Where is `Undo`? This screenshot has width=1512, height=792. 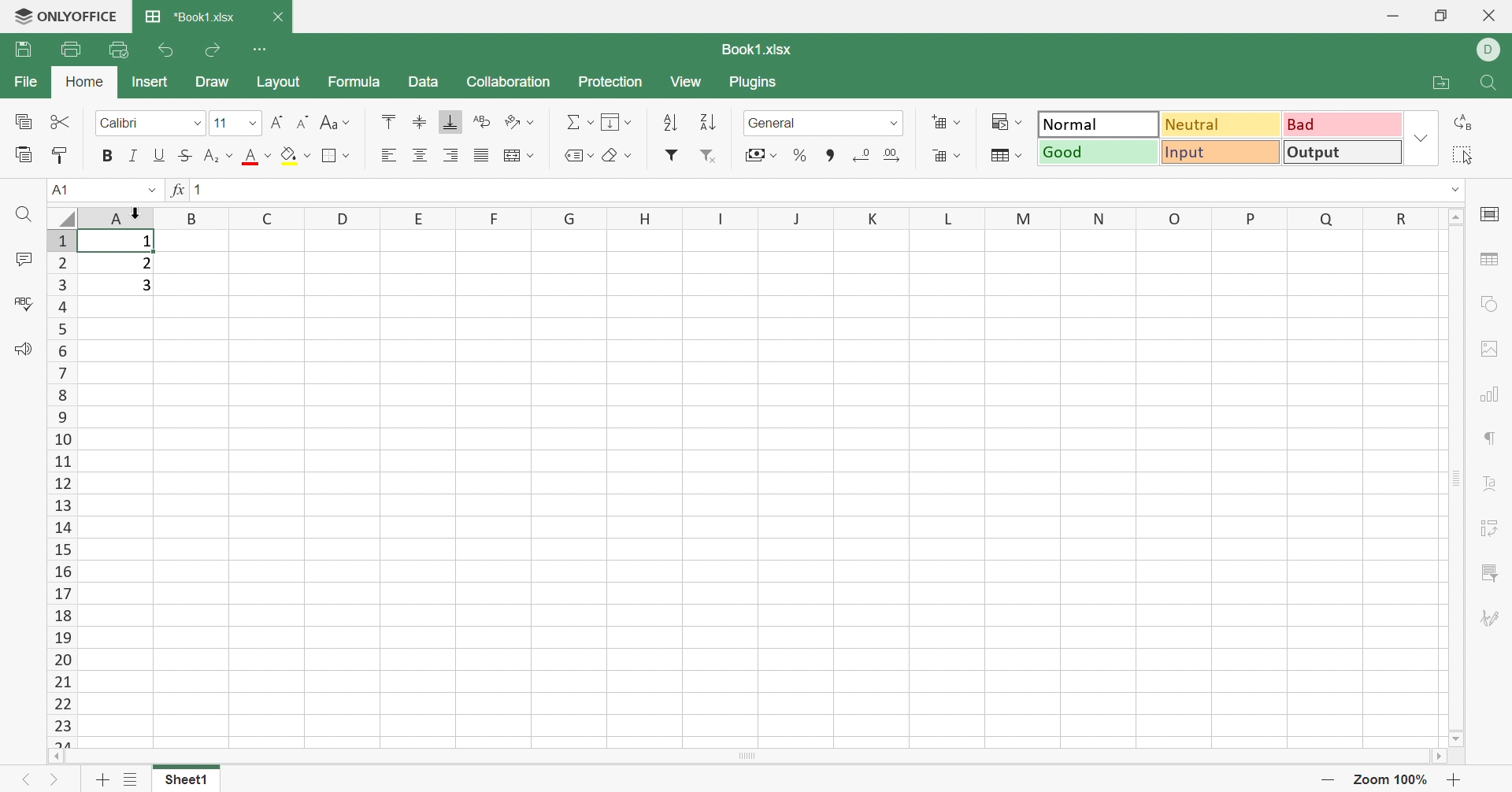 Undo is located at coordinates (169, 49).